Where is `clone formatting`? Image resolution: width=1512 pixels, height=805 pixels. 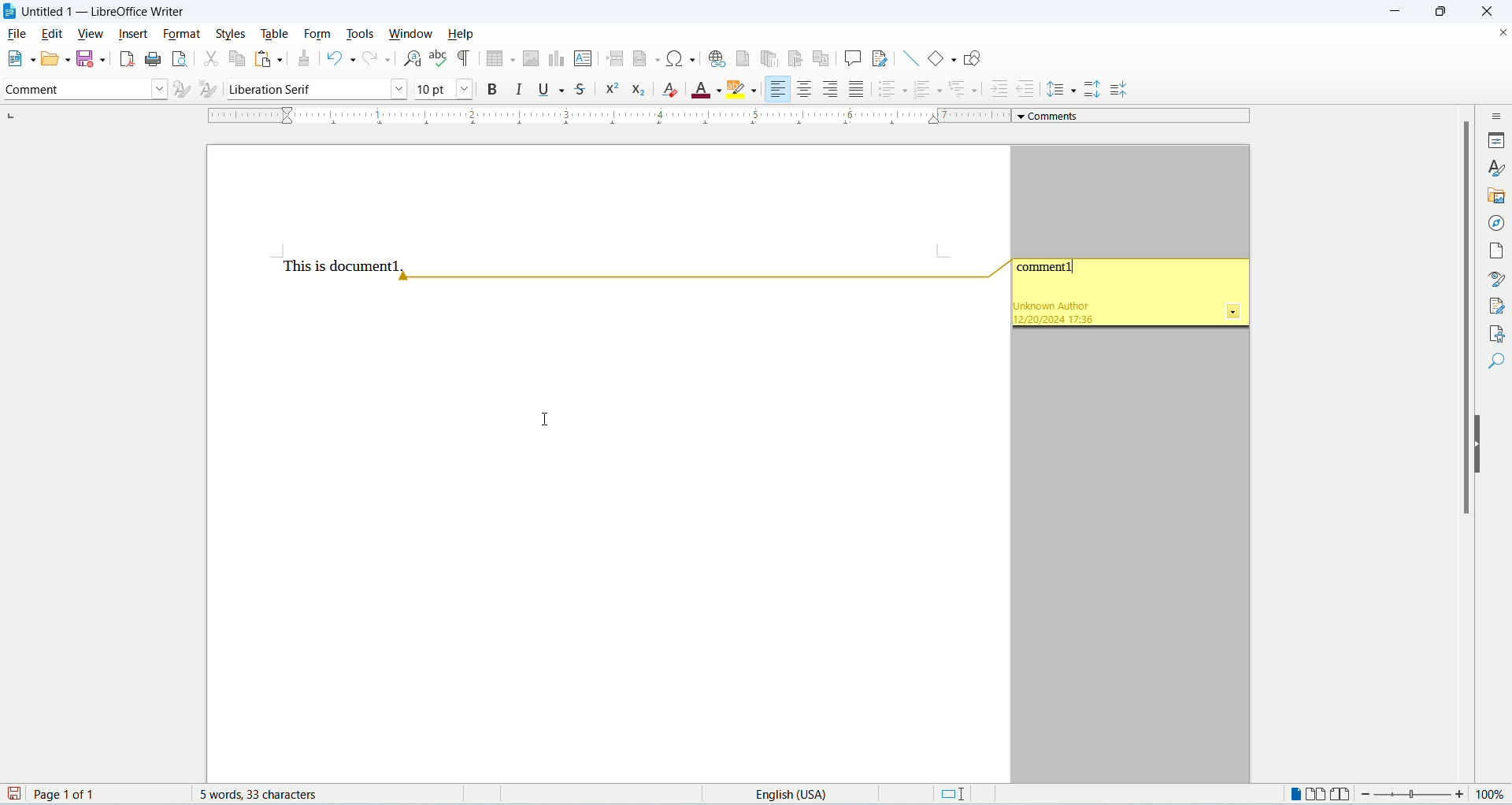
clone formatting is located at coordinates (306, 60).